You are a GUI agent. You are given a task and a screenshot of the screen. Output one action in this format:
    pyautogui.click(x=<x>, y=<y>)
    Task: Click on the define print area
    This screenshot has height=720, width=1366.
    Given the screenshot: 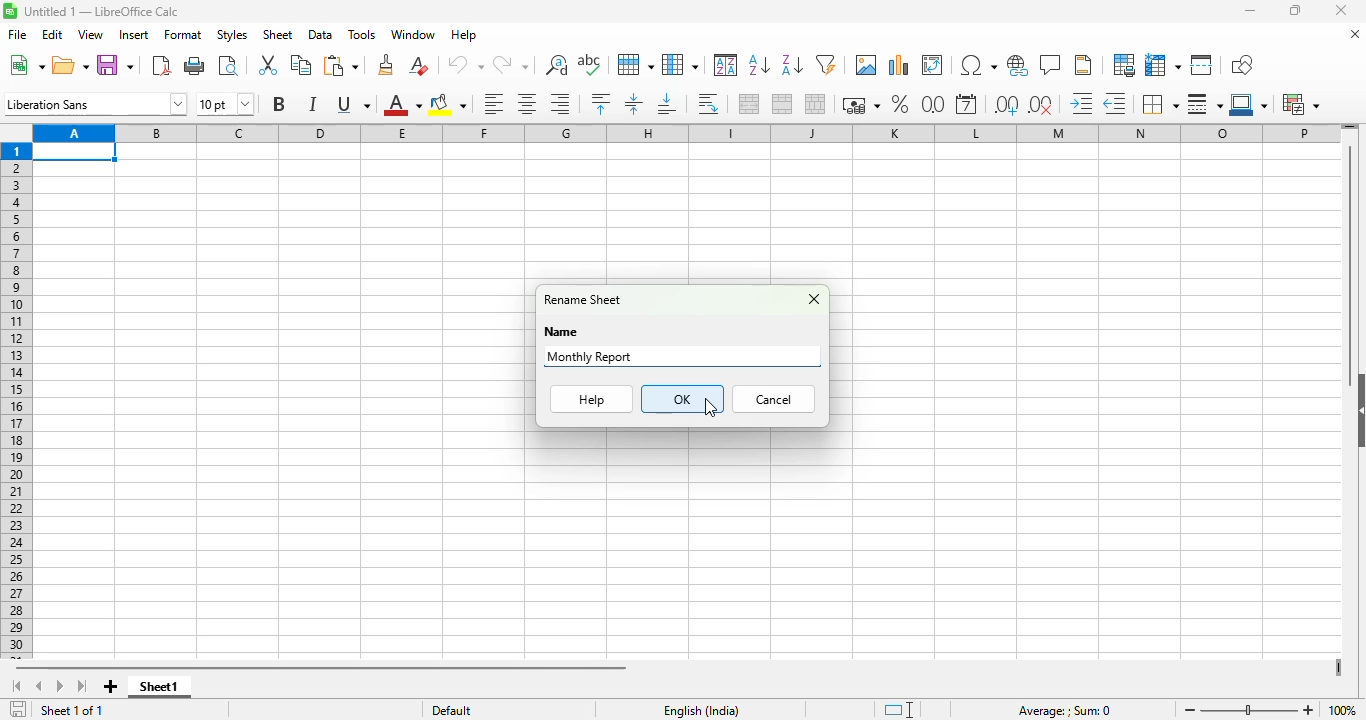 What is the action you would take?
    pyautogui.click(x=1123, y=64)
    